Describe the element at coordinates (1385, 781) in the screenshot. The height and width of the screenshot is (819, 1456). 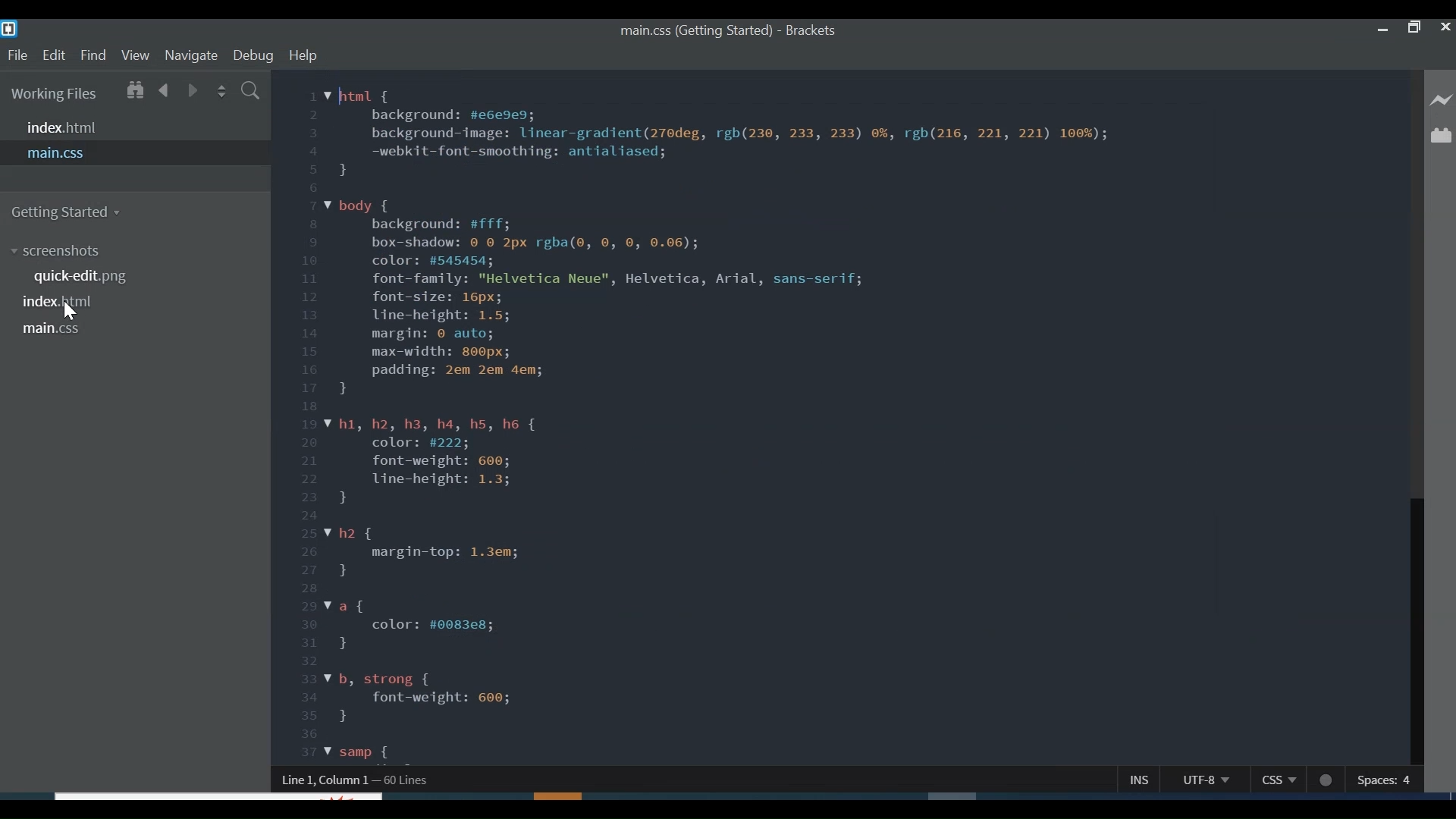
I see `Spaces` at that location.